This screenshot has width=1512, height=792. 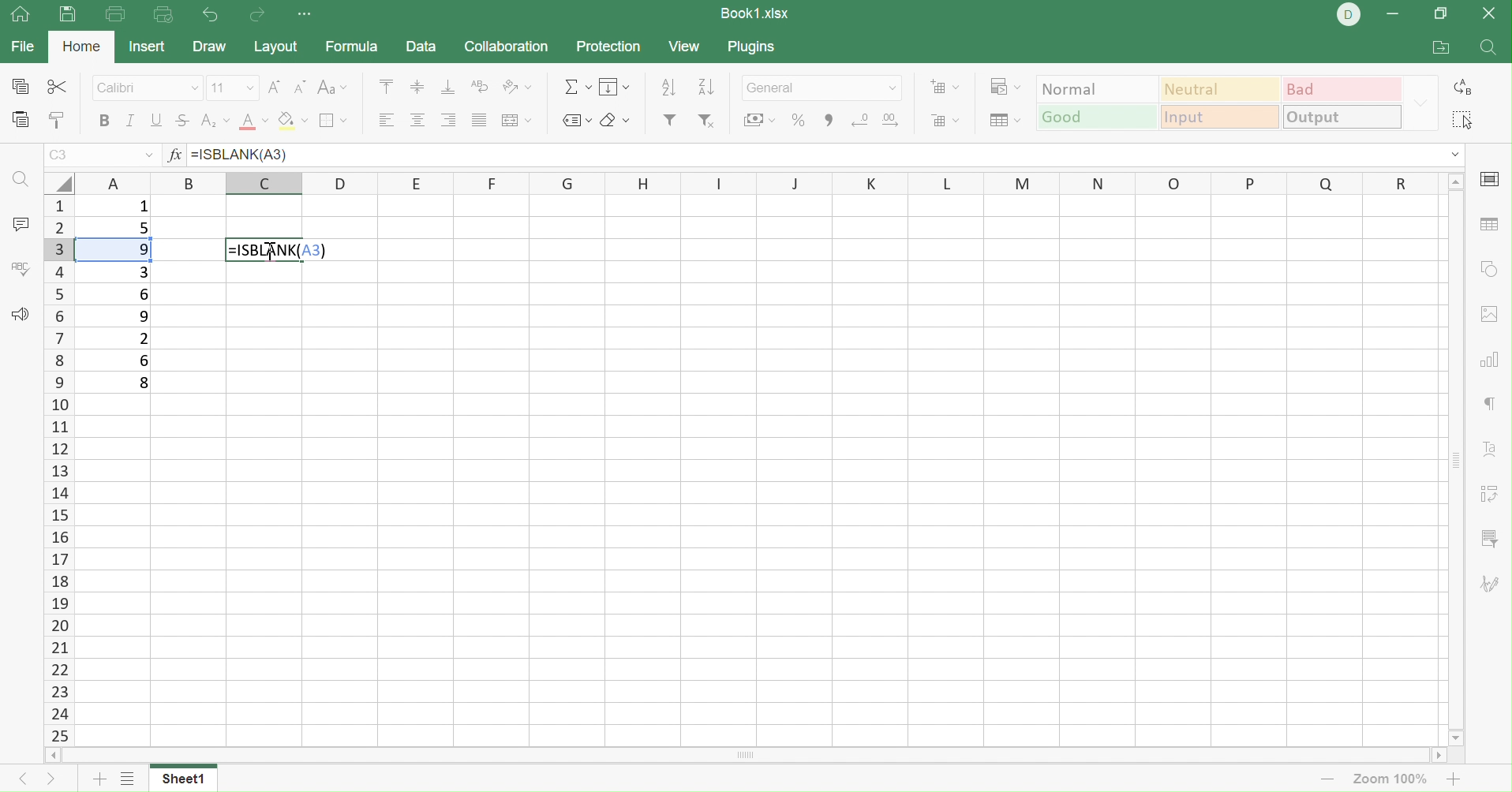 I want to click on Replace, so click(x=1467, y=85).